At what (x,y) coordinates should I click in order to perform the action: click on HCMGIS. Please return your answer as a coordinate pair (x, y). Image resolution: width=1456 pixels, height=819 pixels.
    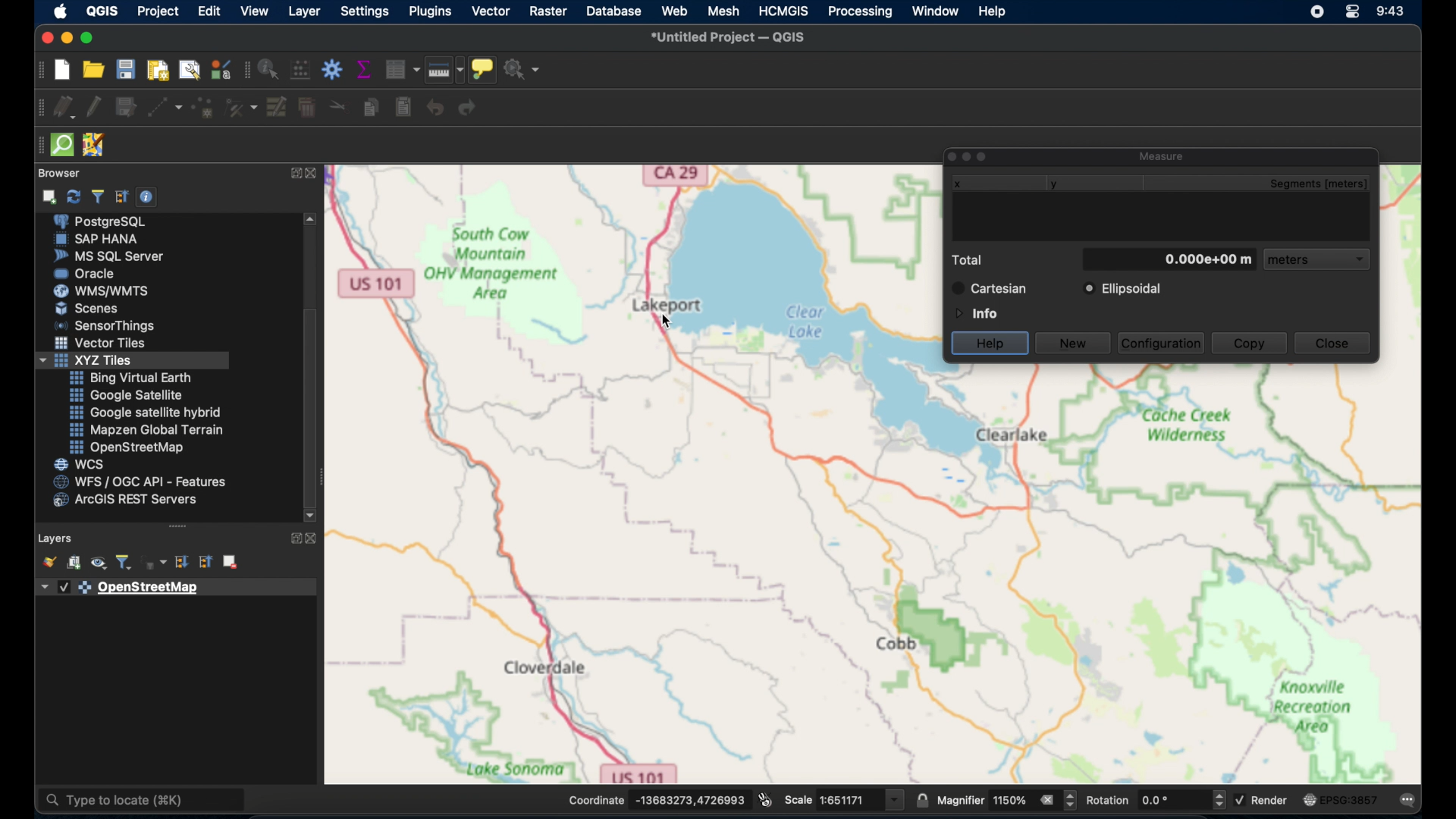
    Looking at the image, I should click on (784, 11).